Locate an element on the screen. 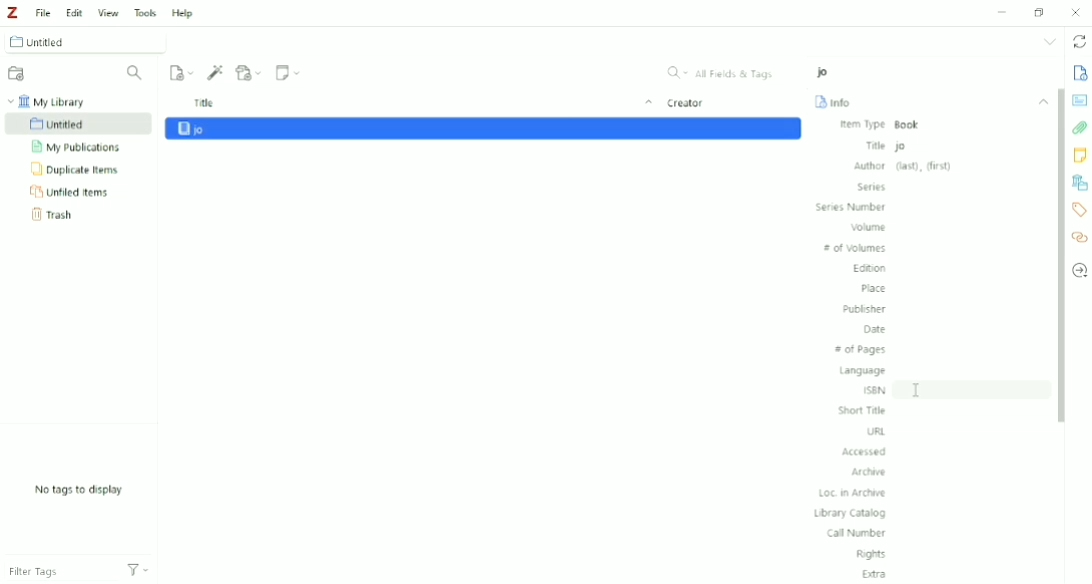  Volume is located at coordinates (870, 228).